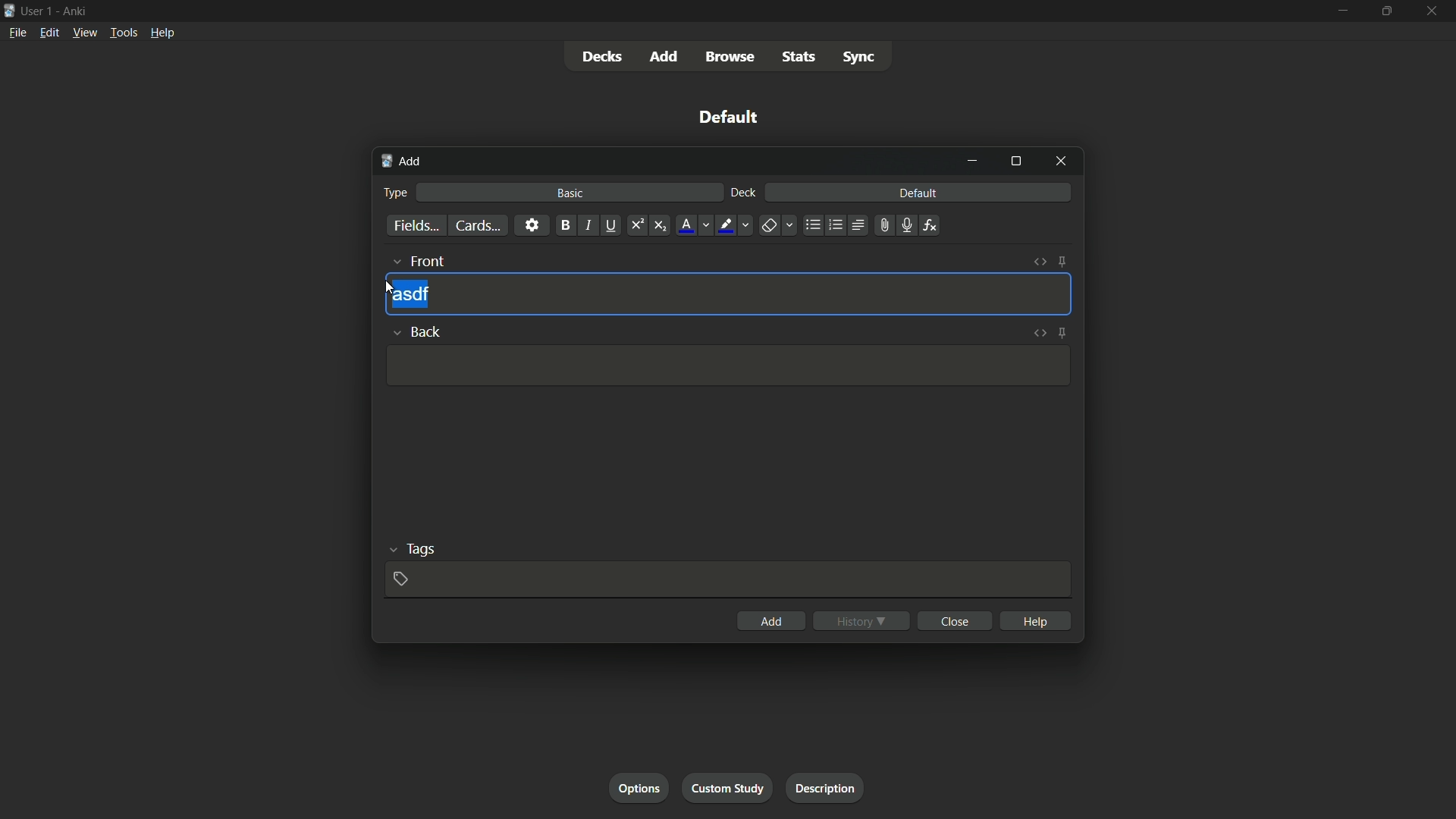  What do you see at coordinates (920, 193) in the screenshot?
I see `default` at bounding box center [920, 193].